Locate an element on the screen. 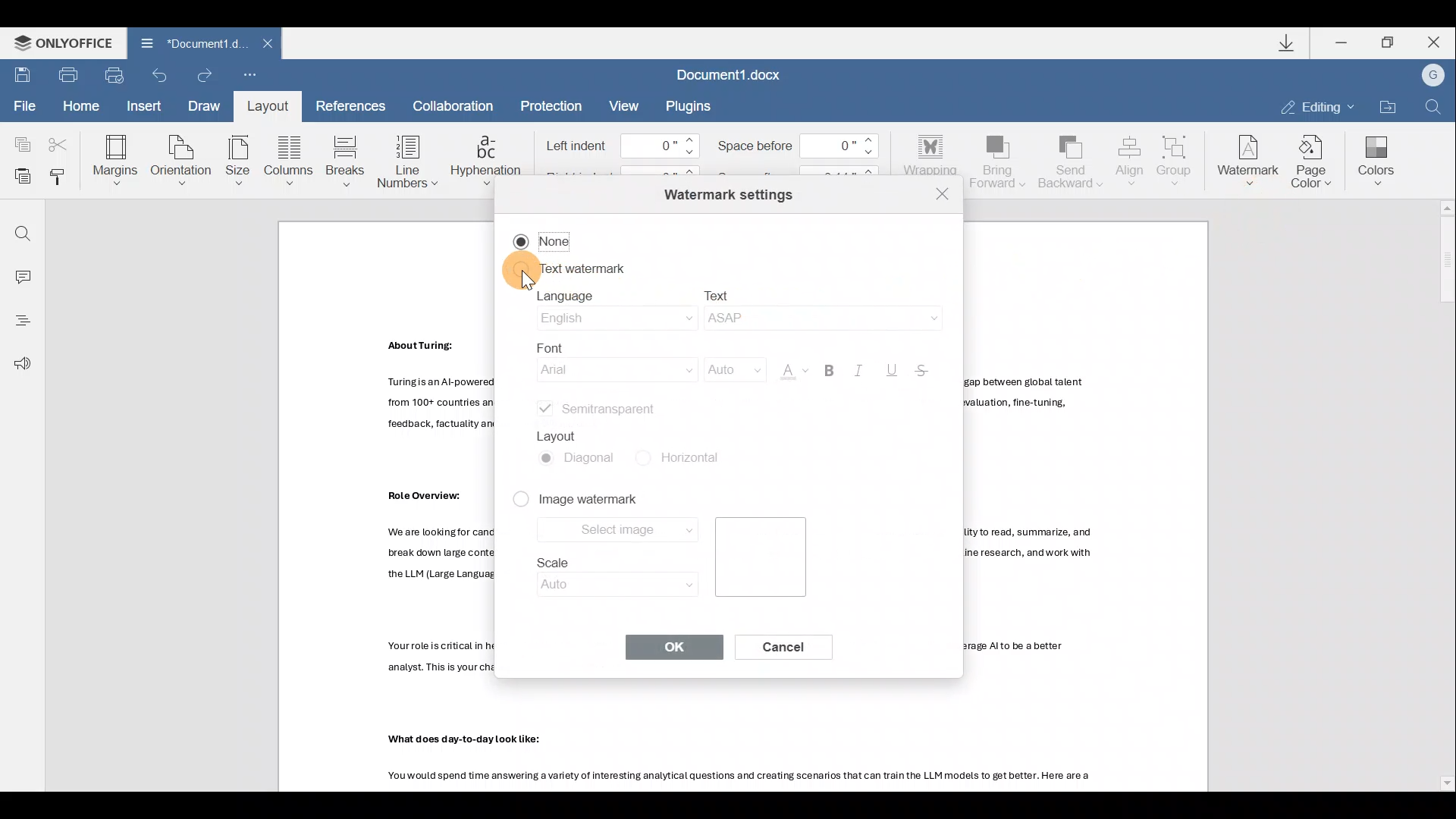 This screenshot has width=1456, height=819. Plugins is located at coordinates (692, 106).